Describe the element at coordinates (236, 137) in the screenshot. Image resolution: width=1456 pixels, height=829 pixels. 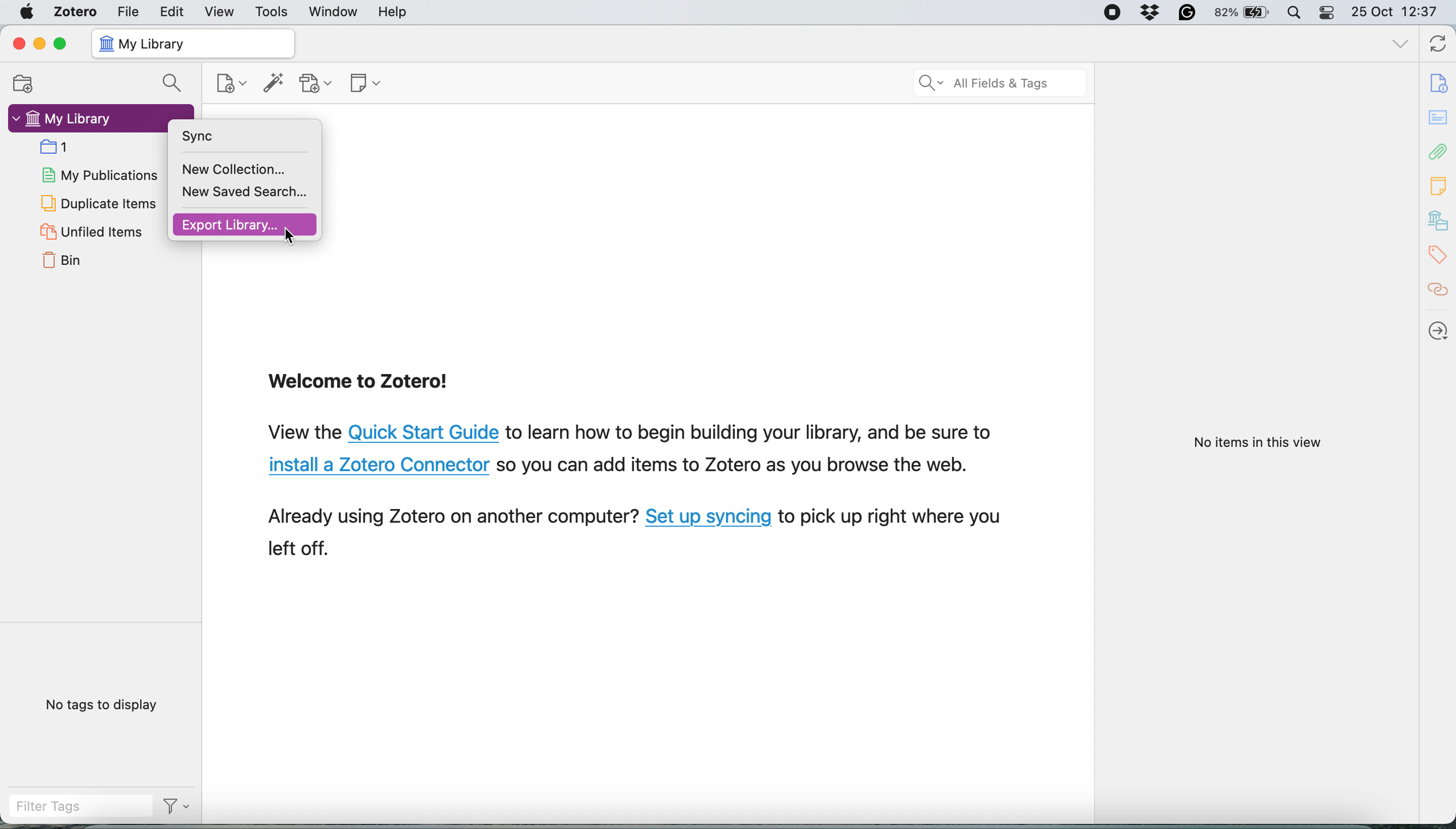
I see `Sync` at that location.